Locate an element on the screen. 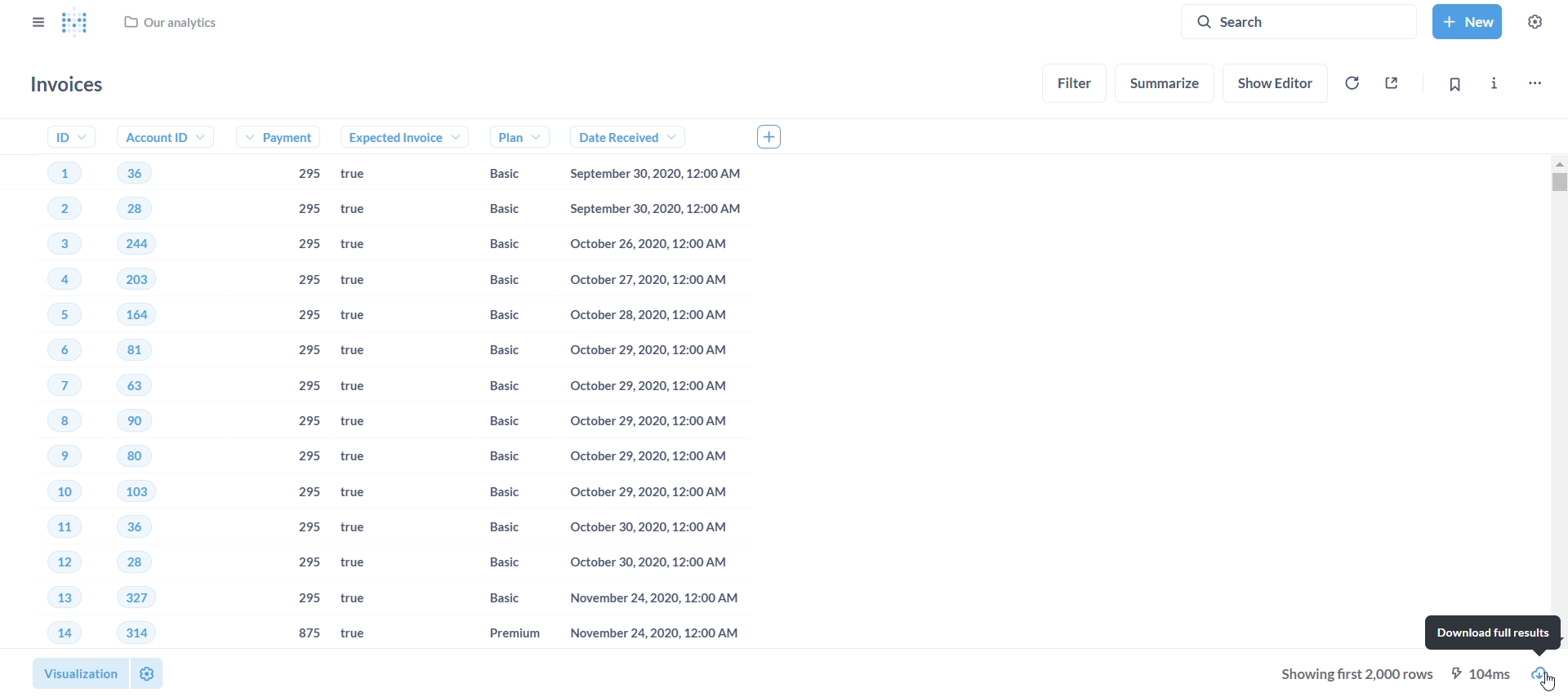 The image size is (1568, 697). 875 is located at coordinates (310, 633).